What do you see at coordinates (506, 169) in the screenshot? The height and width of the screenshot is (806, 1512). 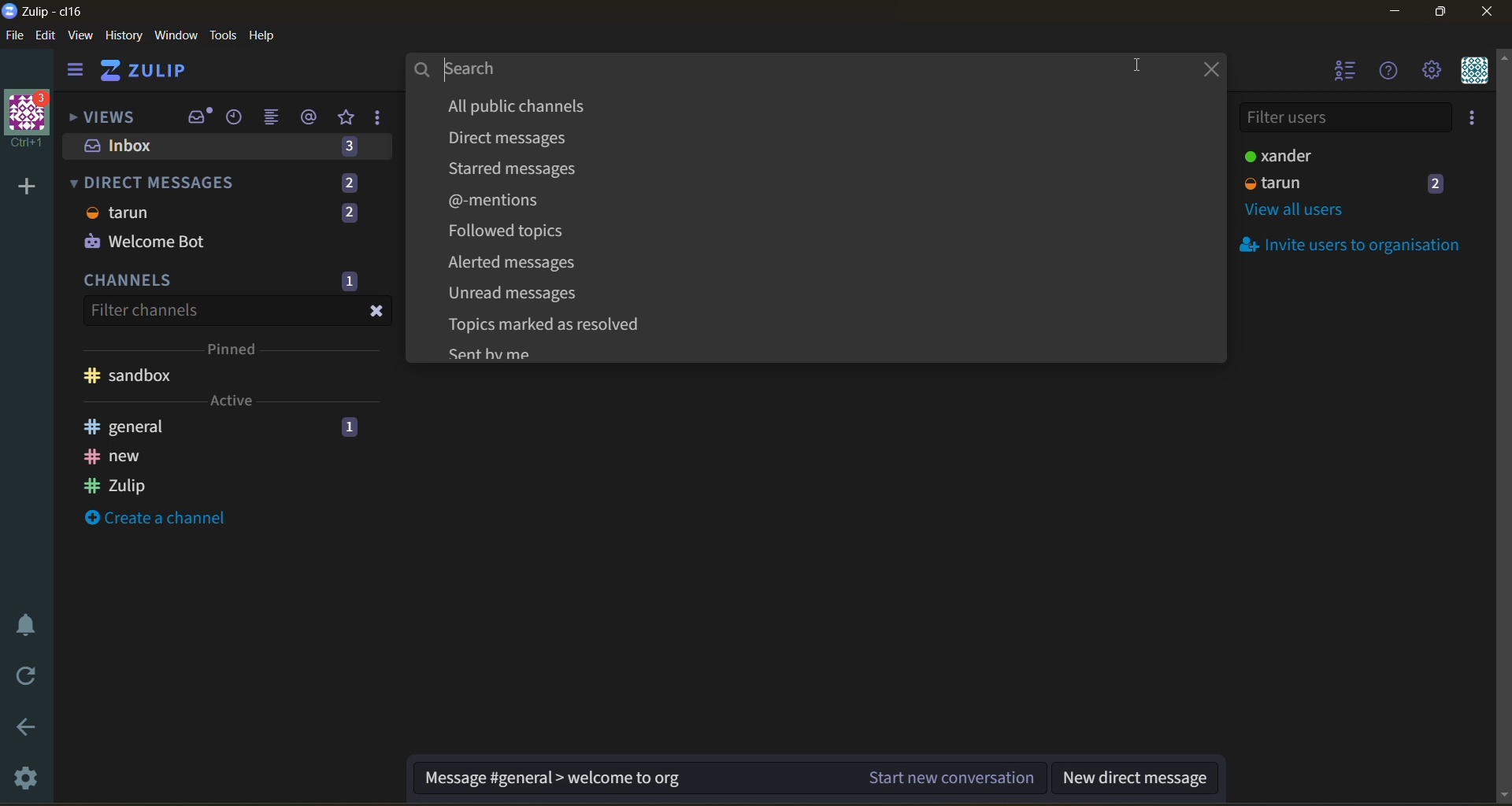 I see `Starred messages` at bounding box center [506, 169].